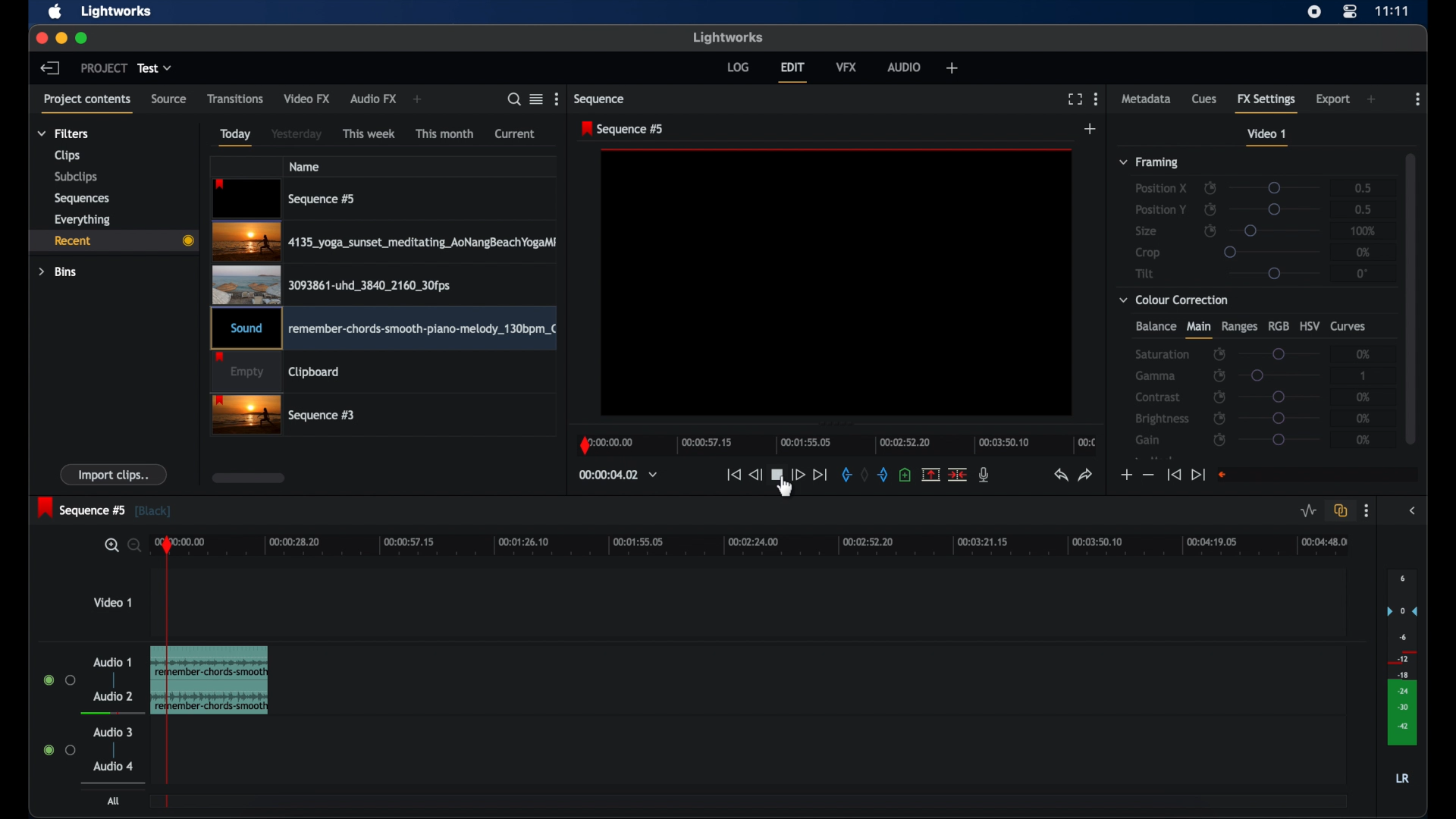 The image size is (1456, 819). I want to click on 0.5, so click(1357, 187).